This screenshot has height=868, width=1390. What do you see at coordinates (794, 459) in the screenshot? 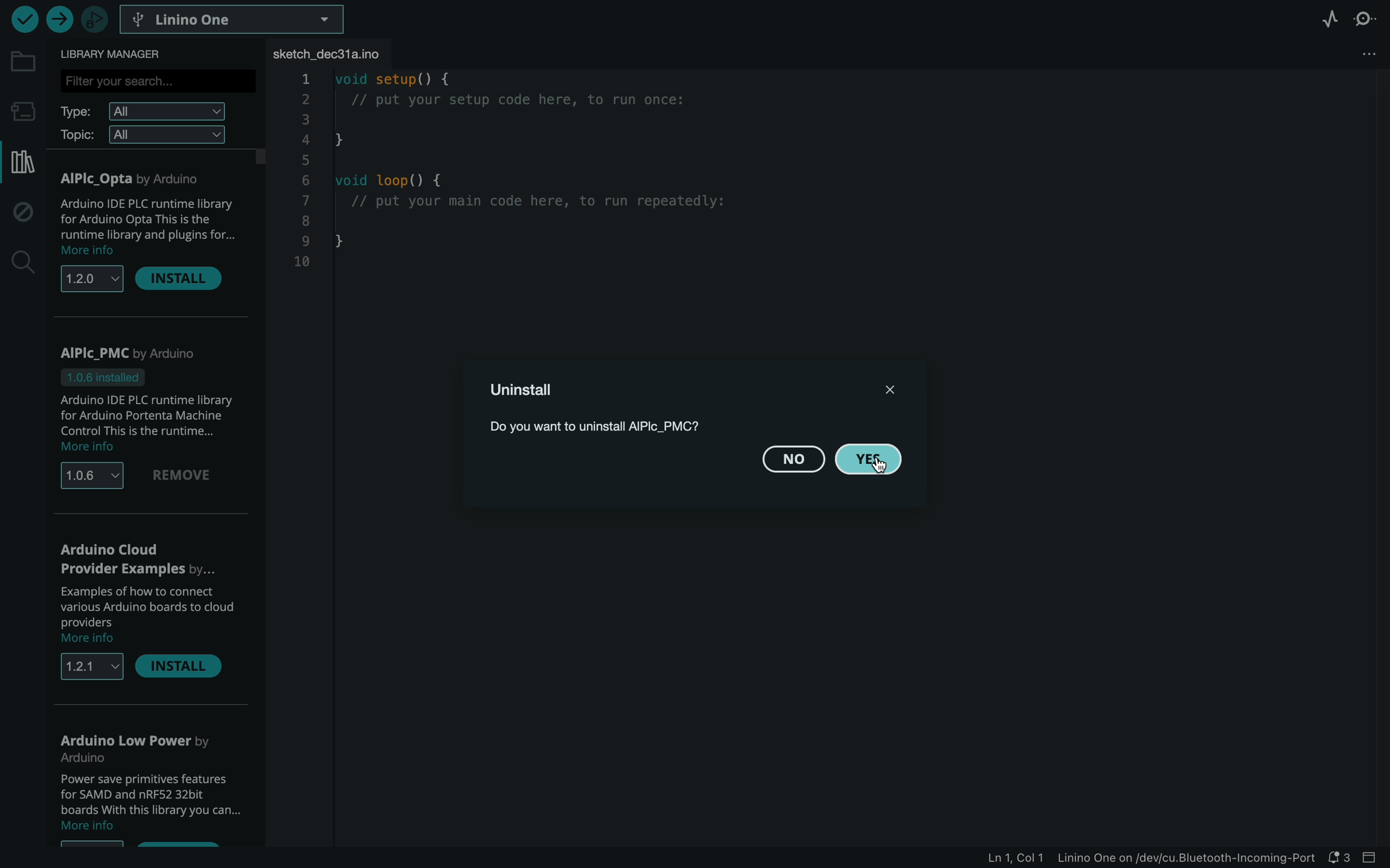
I see `no` at bounding box center [794, 459].